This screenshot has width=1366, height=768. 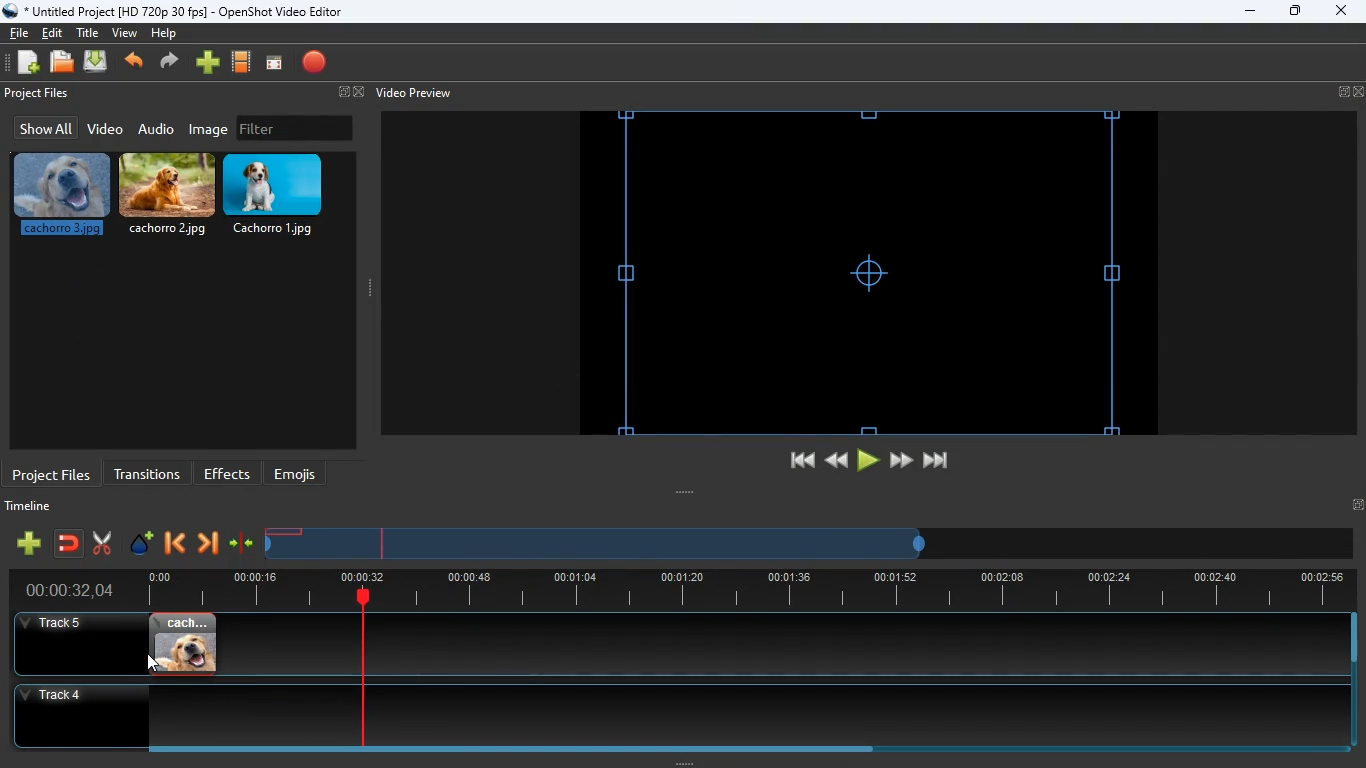 I want to click on timeline, so click(x=33, y=509).